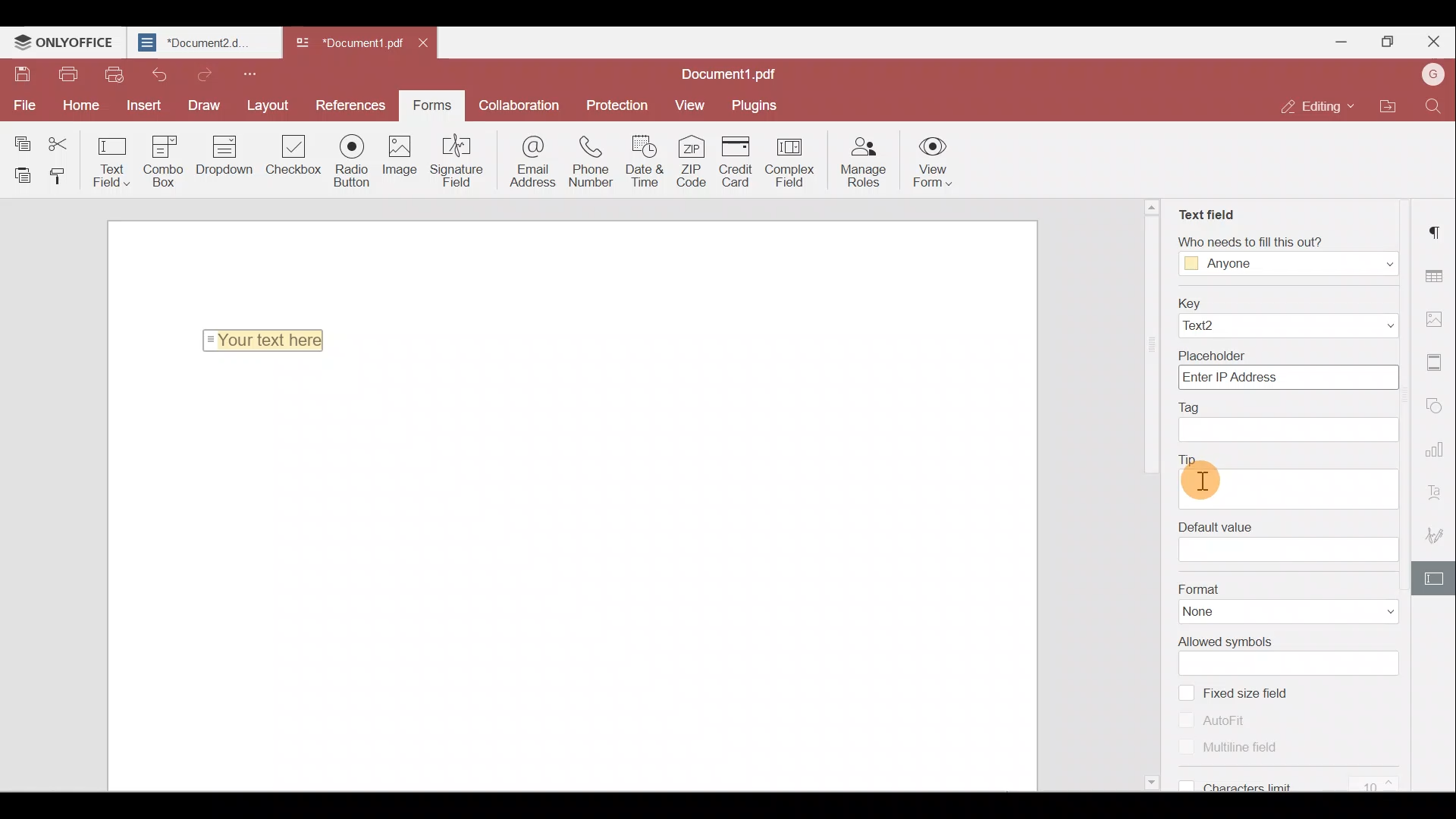 Image resolution: width=1456 pixels, height=819 pixels. Describe the element at coordinates (202, 42) in the screenshot. I see `*Document2.d` at that location.